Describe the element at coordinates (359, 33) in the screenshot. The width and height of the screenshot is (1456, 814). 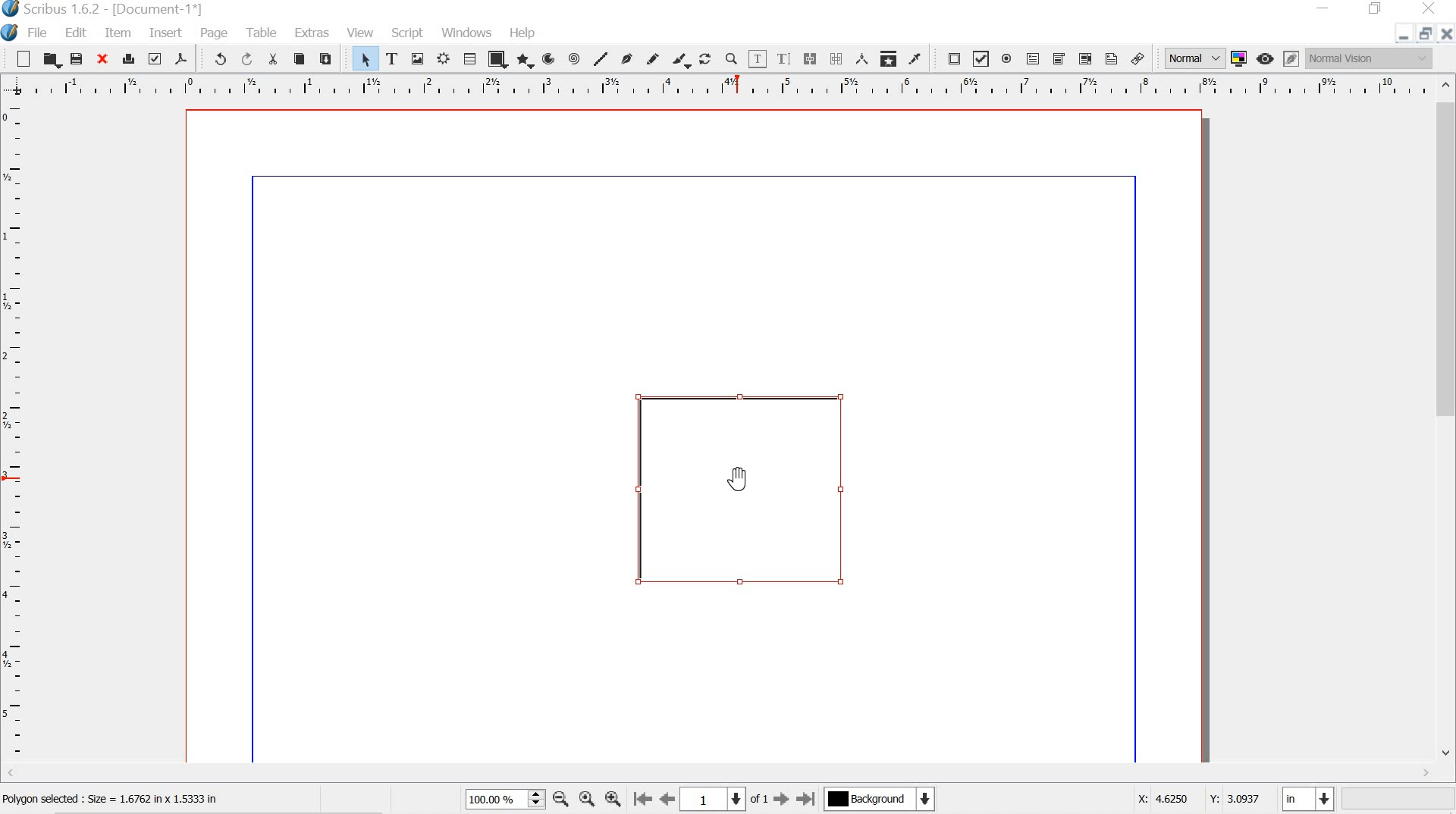
I see `VIEW` at that location.